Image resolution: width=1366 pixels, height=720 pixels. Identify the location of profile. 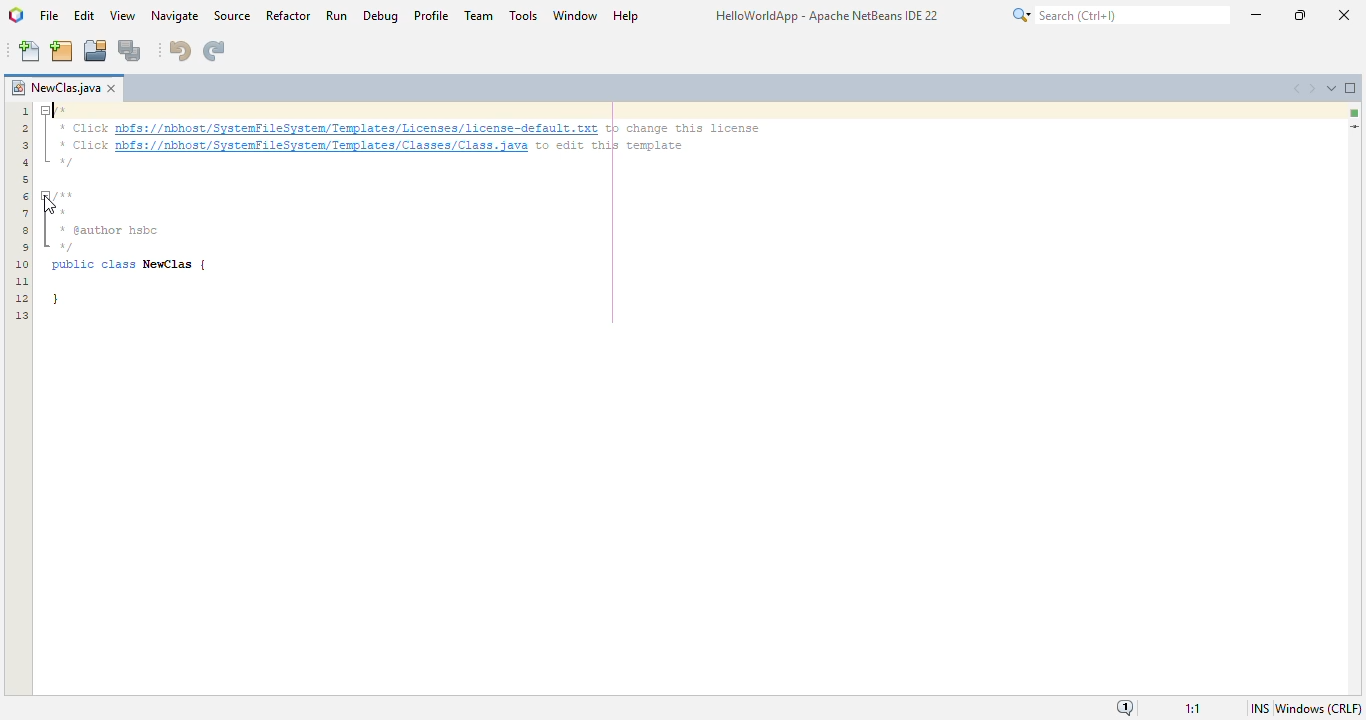
(432, 15).